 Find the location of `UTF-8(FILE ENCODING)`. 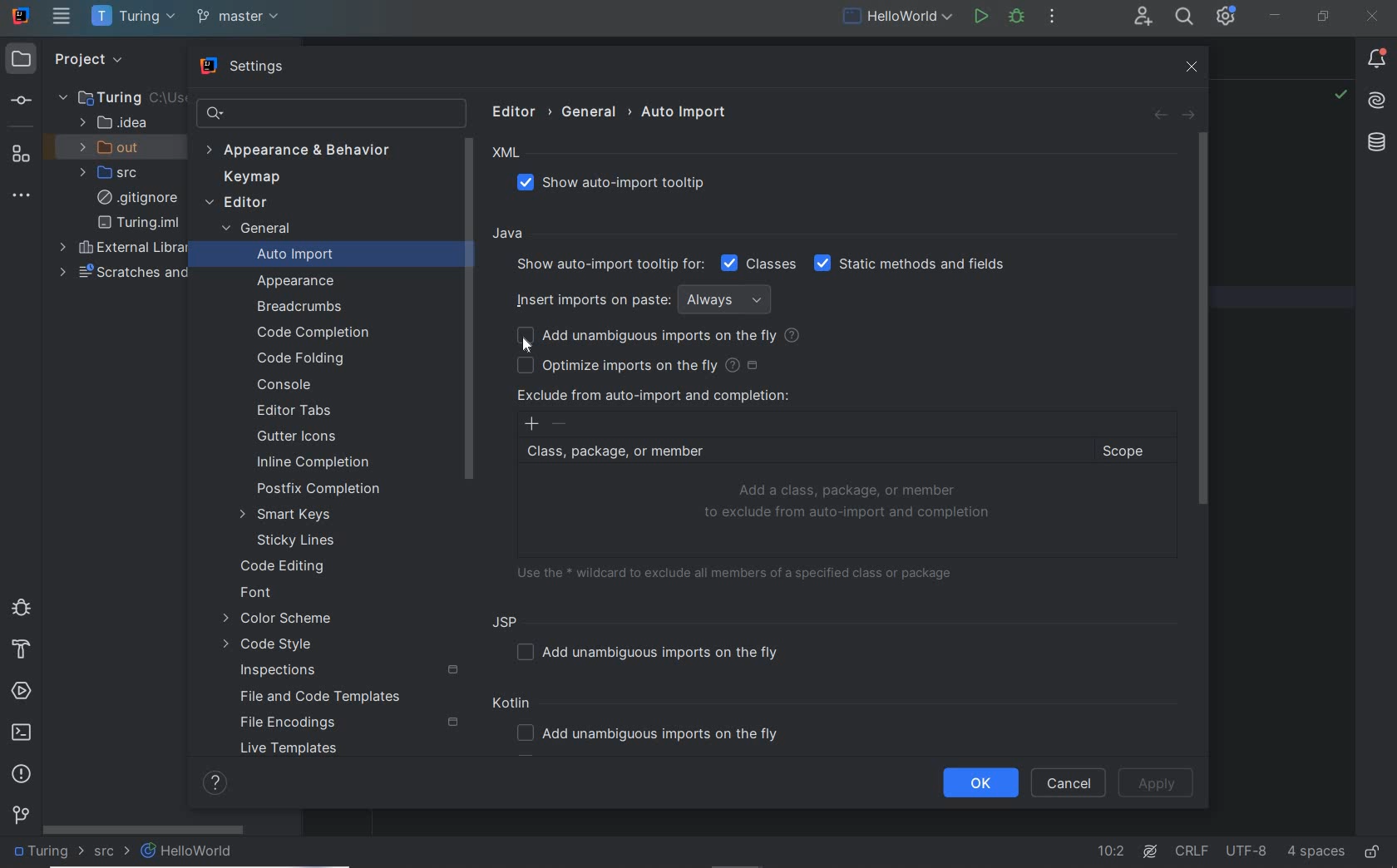

UTF-8(FILE ENCODING) is located at coordinates (1244, 852).